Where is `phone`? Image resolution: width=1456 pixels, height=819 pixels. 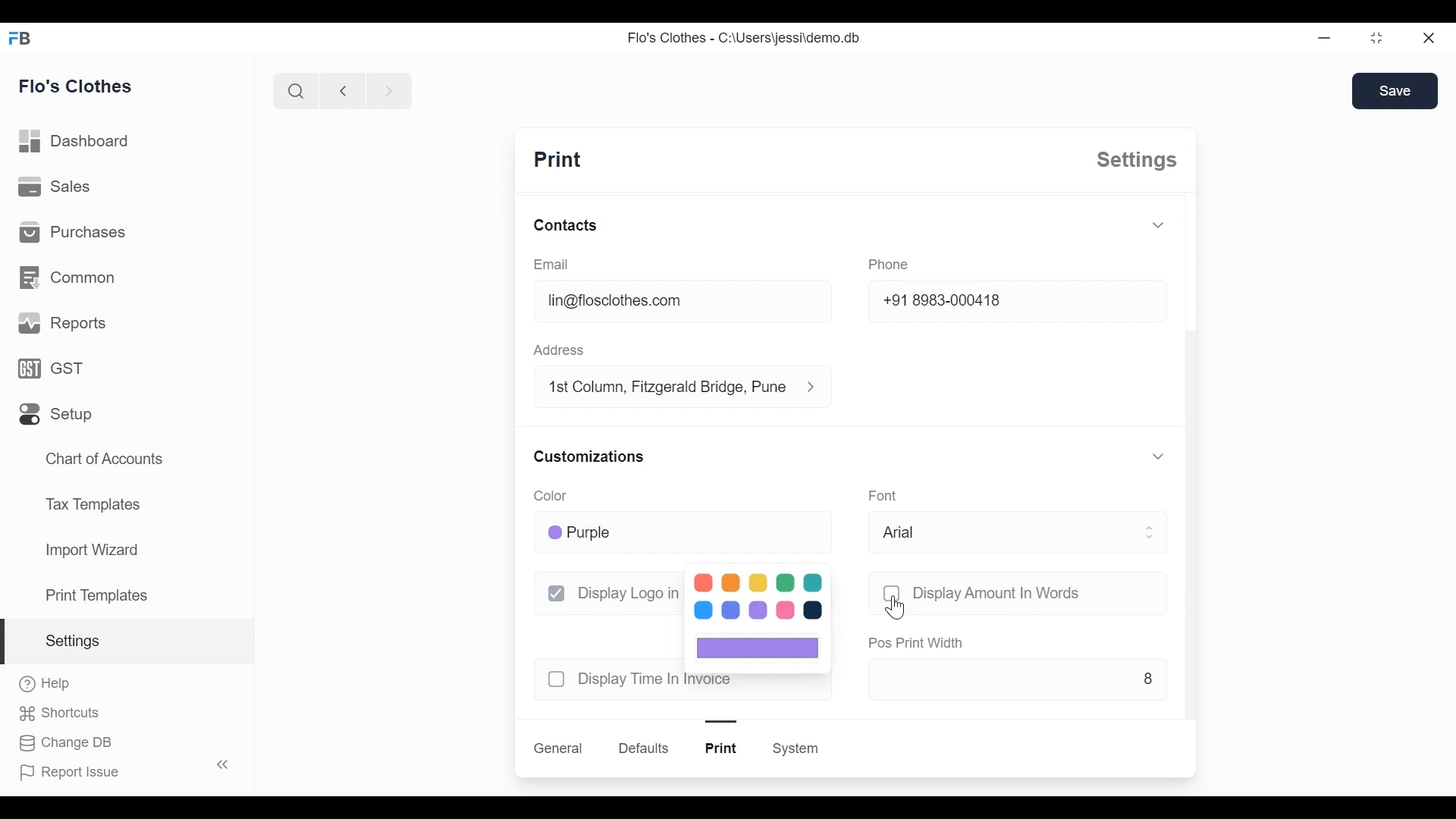
phone is located at coordinates (889, 265).